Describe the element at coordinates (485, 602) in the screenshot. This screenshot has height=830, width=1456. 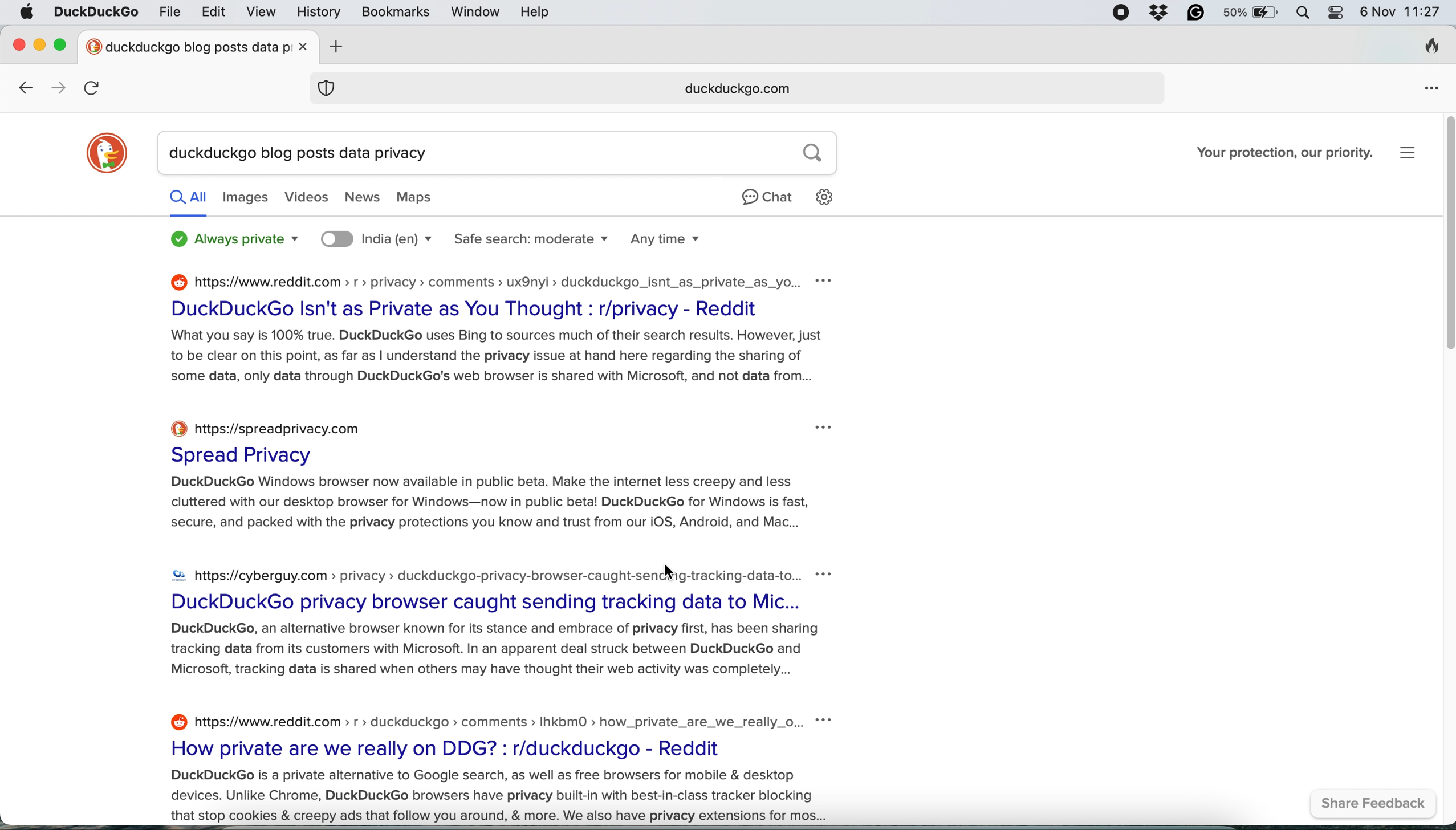
I see `DuckDuckGo privacy browser caught sending tracking data to Mic...` at that location.